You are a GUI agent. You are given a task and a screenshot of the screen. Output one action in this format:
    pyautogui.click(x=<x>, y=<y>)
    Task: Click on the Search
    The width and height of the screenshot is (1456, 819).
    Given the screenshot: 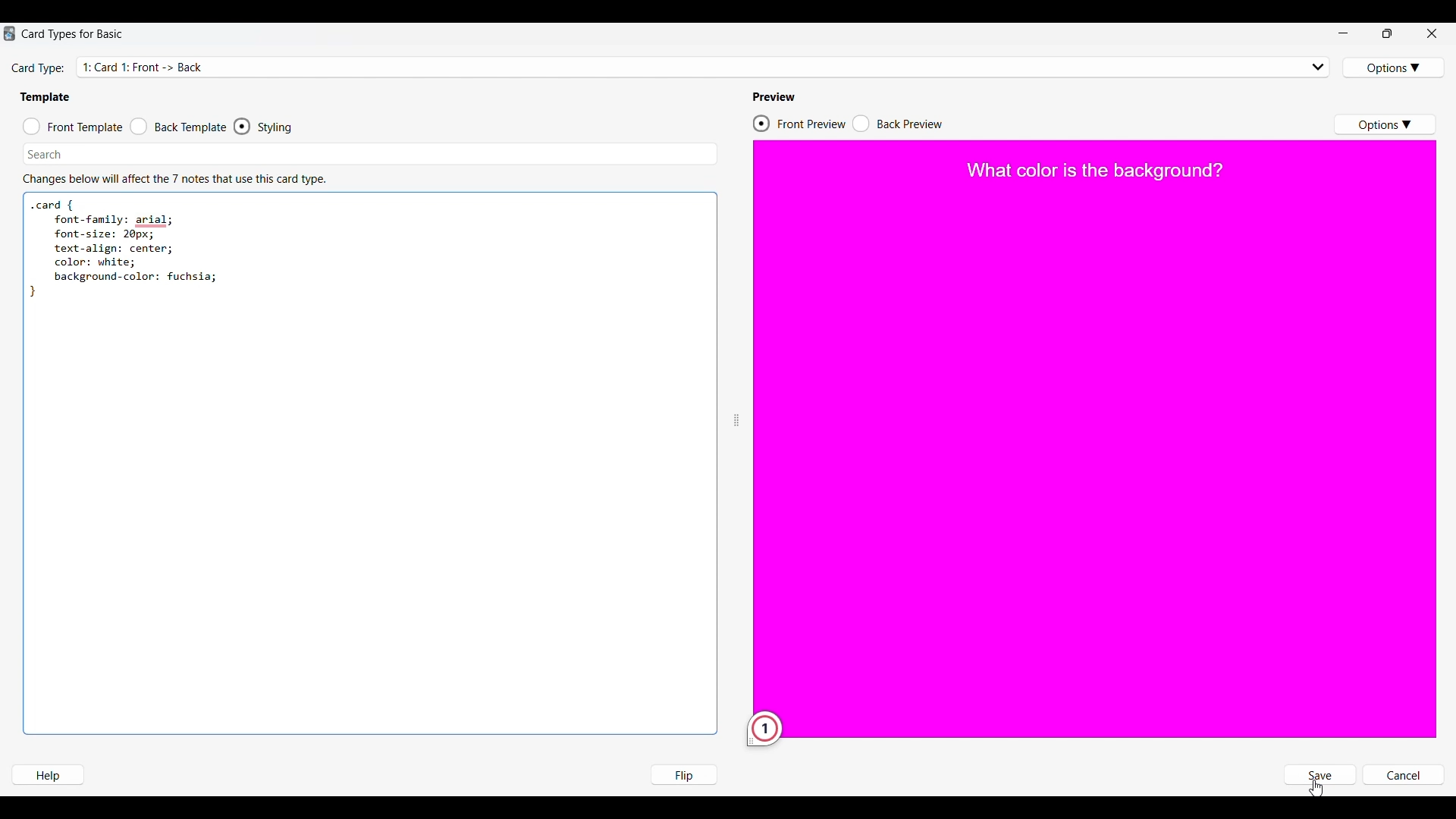 What is the action you would take?
    pyautogui.click(x=45, y=154)
    